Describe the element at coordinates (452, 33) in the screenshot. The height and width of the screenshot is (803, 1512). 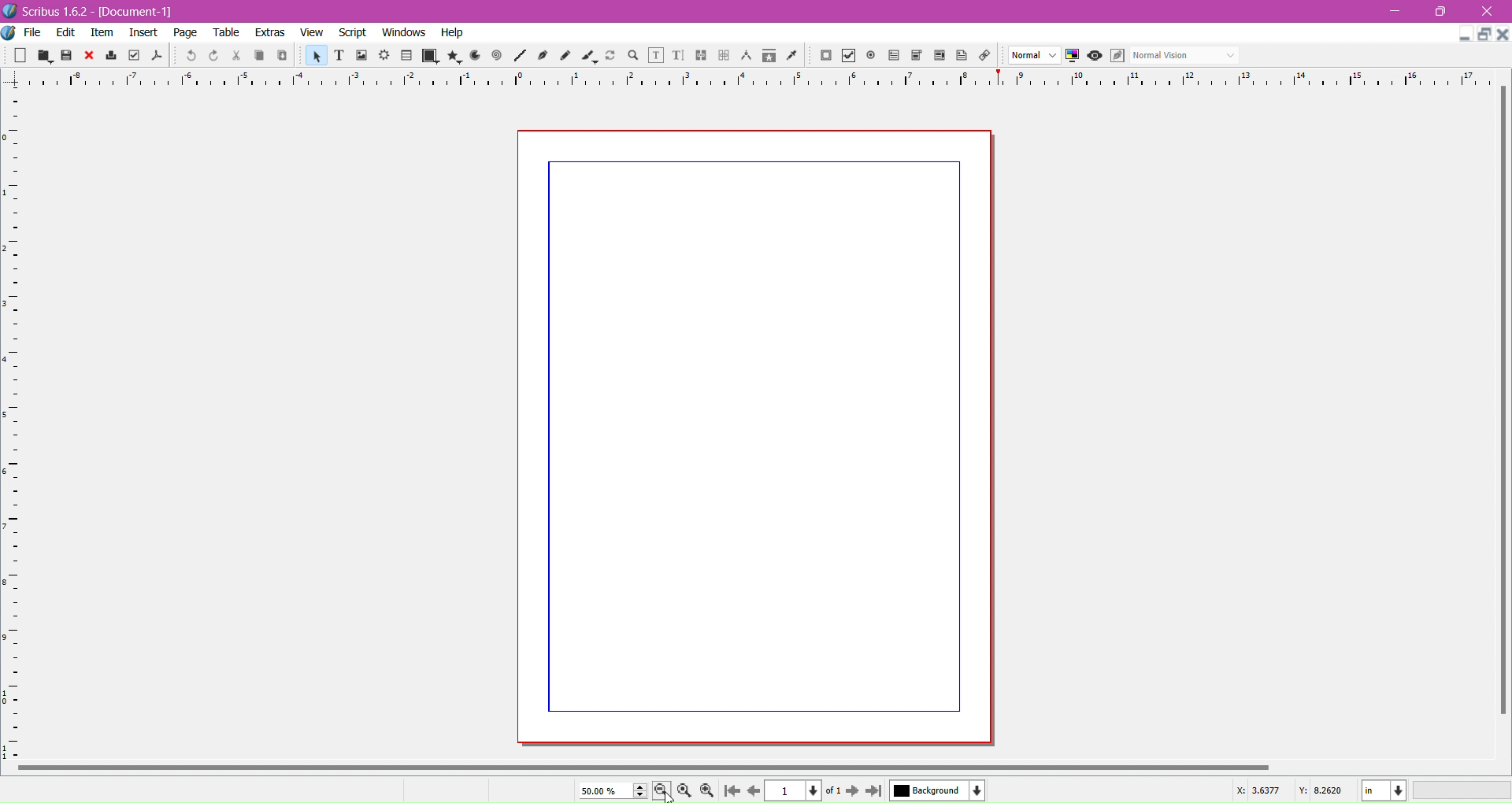
I see `Help` at that location.